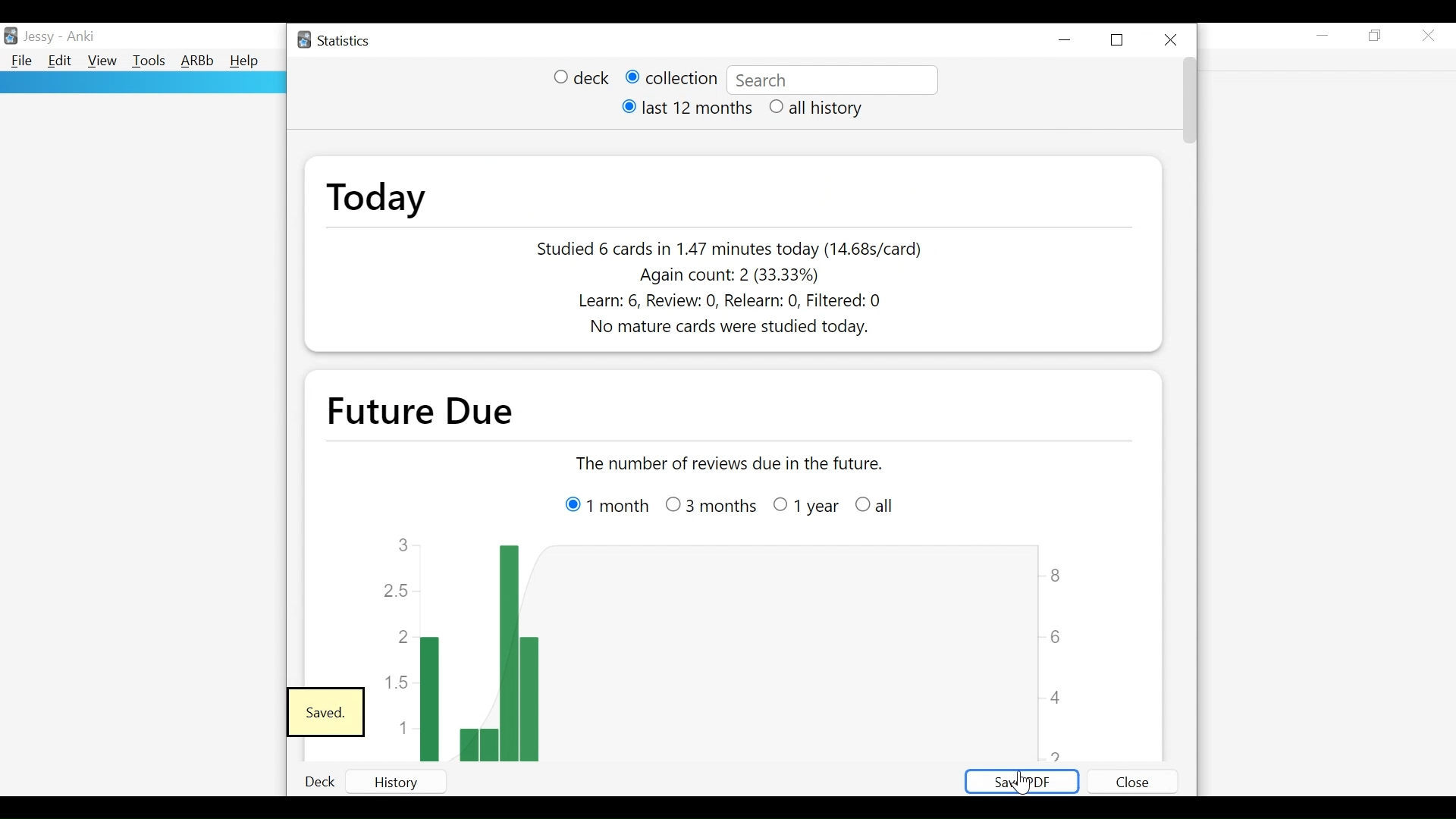  Describe the element at coordinates (817, 108) in the screenshot. I see `(un)select all history` at that location.